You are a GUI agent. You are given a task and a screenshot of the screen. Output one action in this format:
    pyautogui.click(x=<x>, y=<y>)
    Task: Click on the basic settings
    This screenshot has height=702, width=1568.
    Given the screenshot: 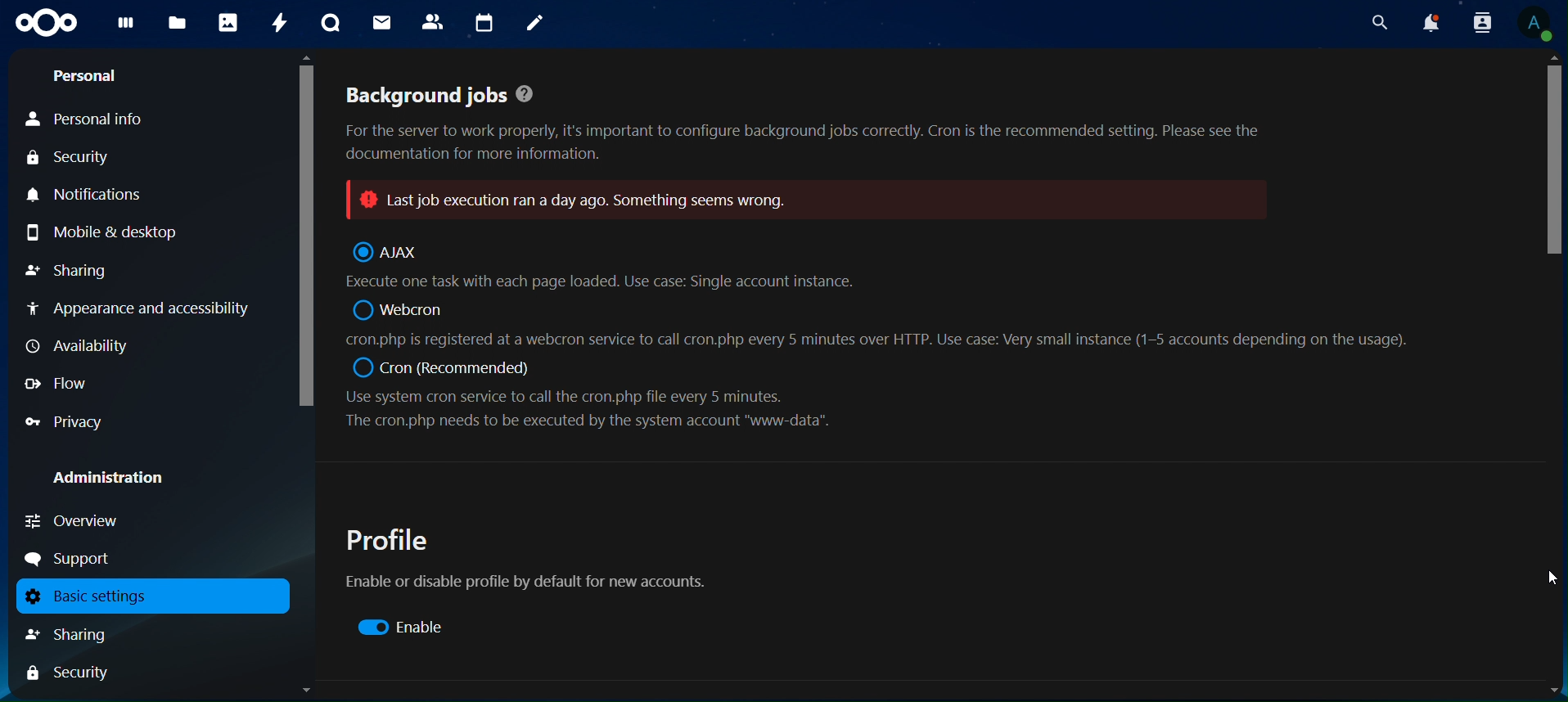 What is the action you would take?
    pyautogui.click(x=146, y=596)
    